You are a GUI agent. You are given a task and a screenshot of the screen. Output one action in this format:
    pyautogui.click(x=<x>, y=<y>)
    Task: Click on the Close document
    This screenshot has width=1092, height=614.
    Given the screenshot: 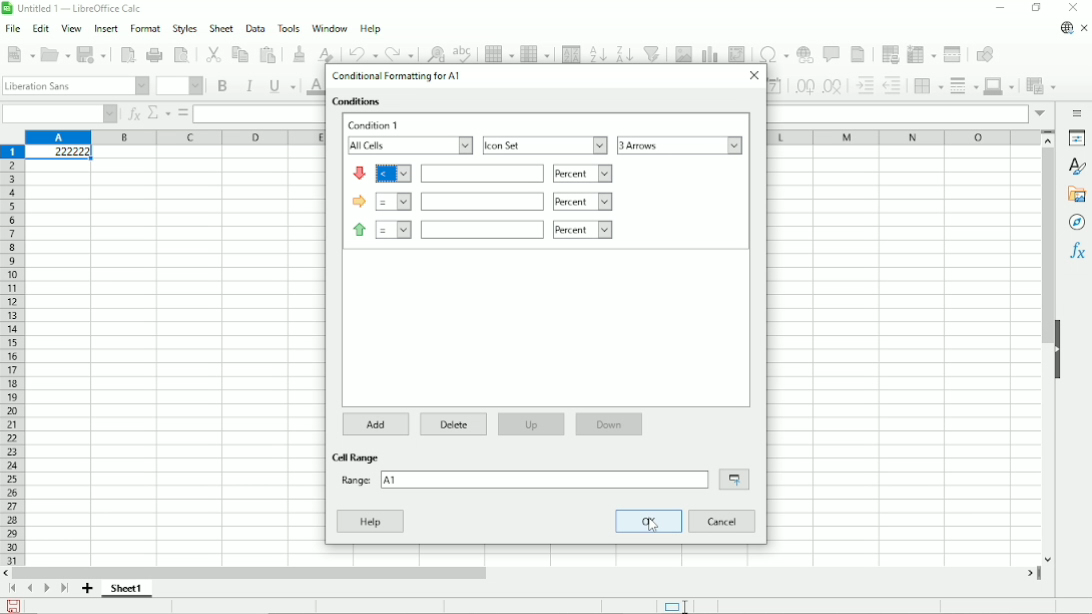 What is the action you would take?
    pyautogui.click(x=1085, y=29)
    